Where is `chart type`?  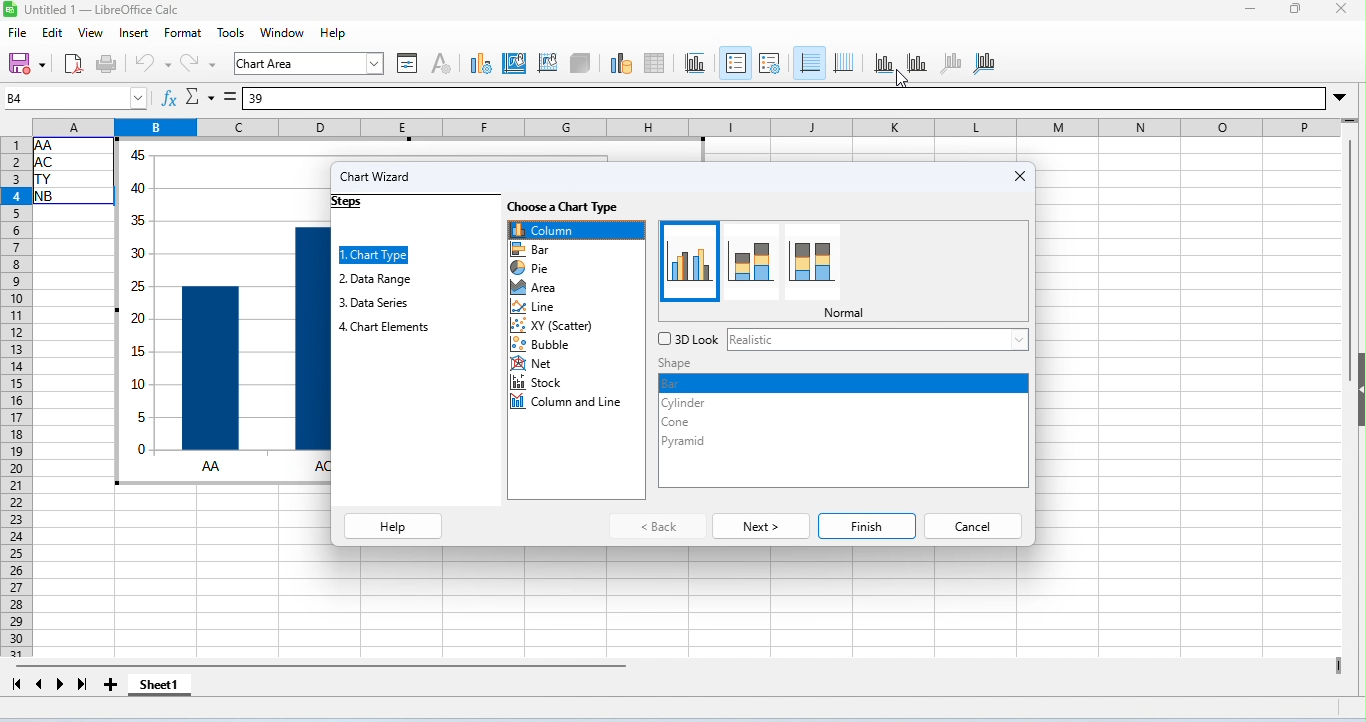
chart type is located at coordinates (482, 64).